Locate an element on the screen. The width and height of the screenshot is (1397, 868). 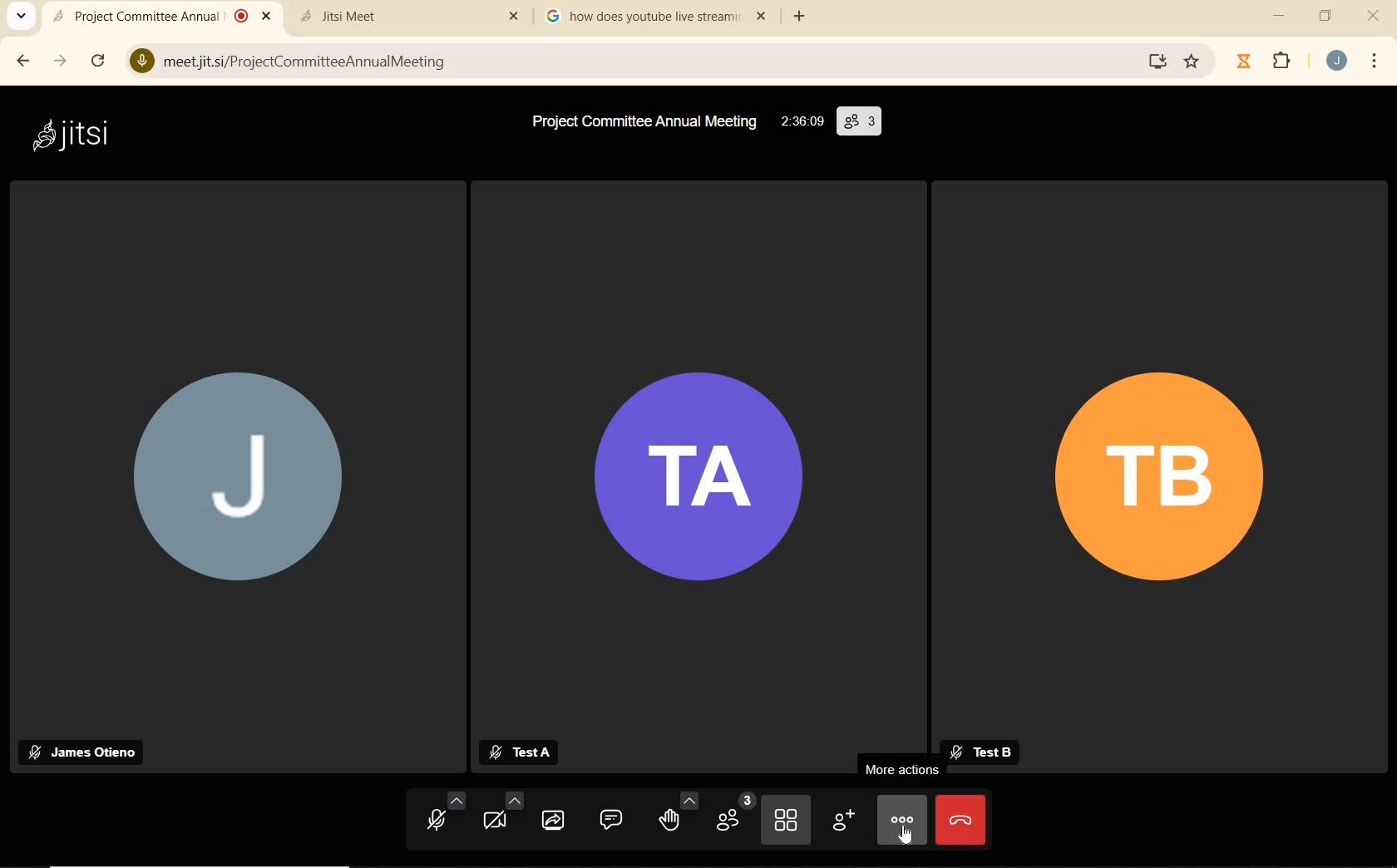
RAISE HAND is located at coordinates (679, 815).